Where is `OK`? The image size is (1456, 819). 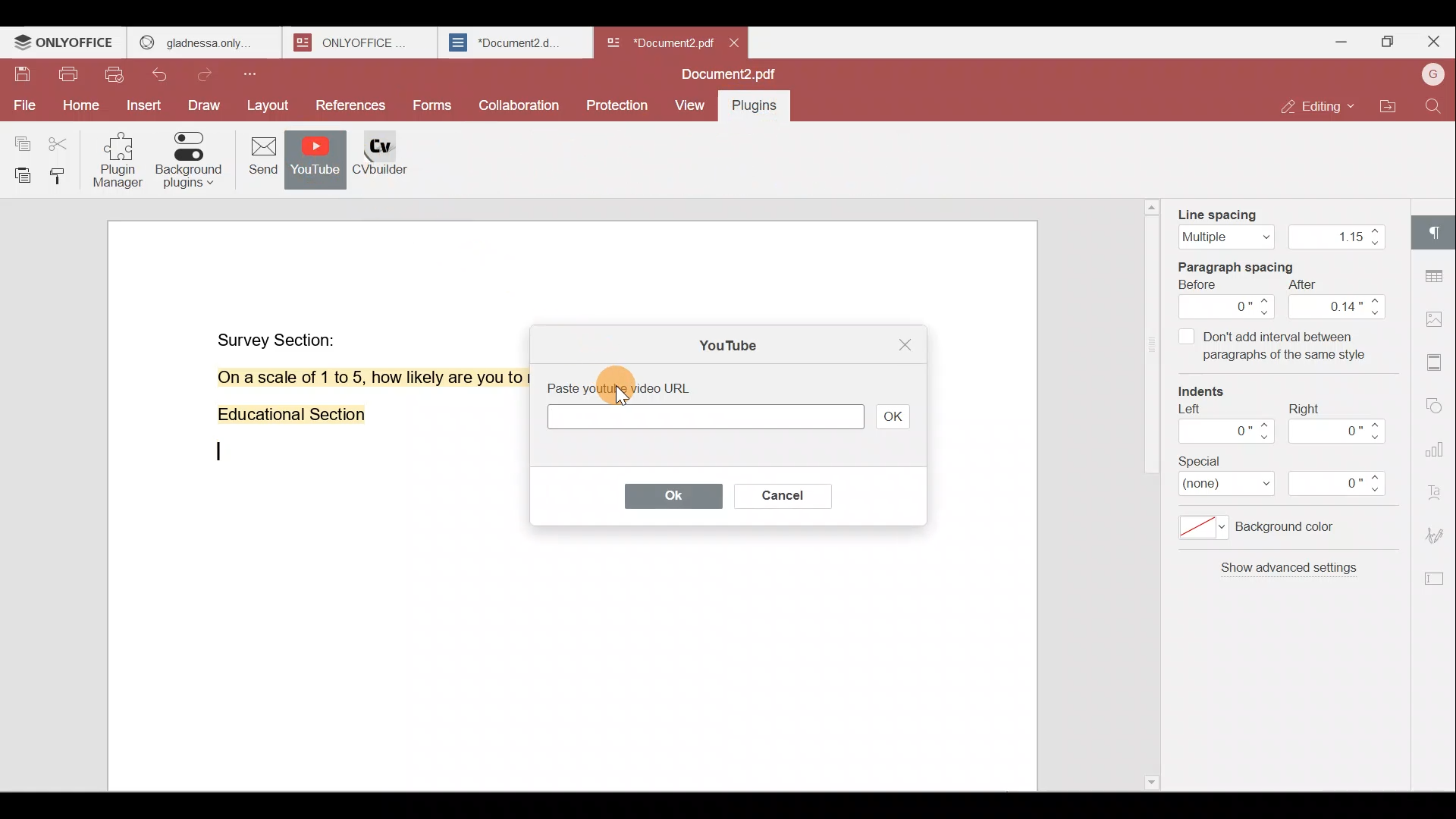
OK is located at coordinates (893, 416).